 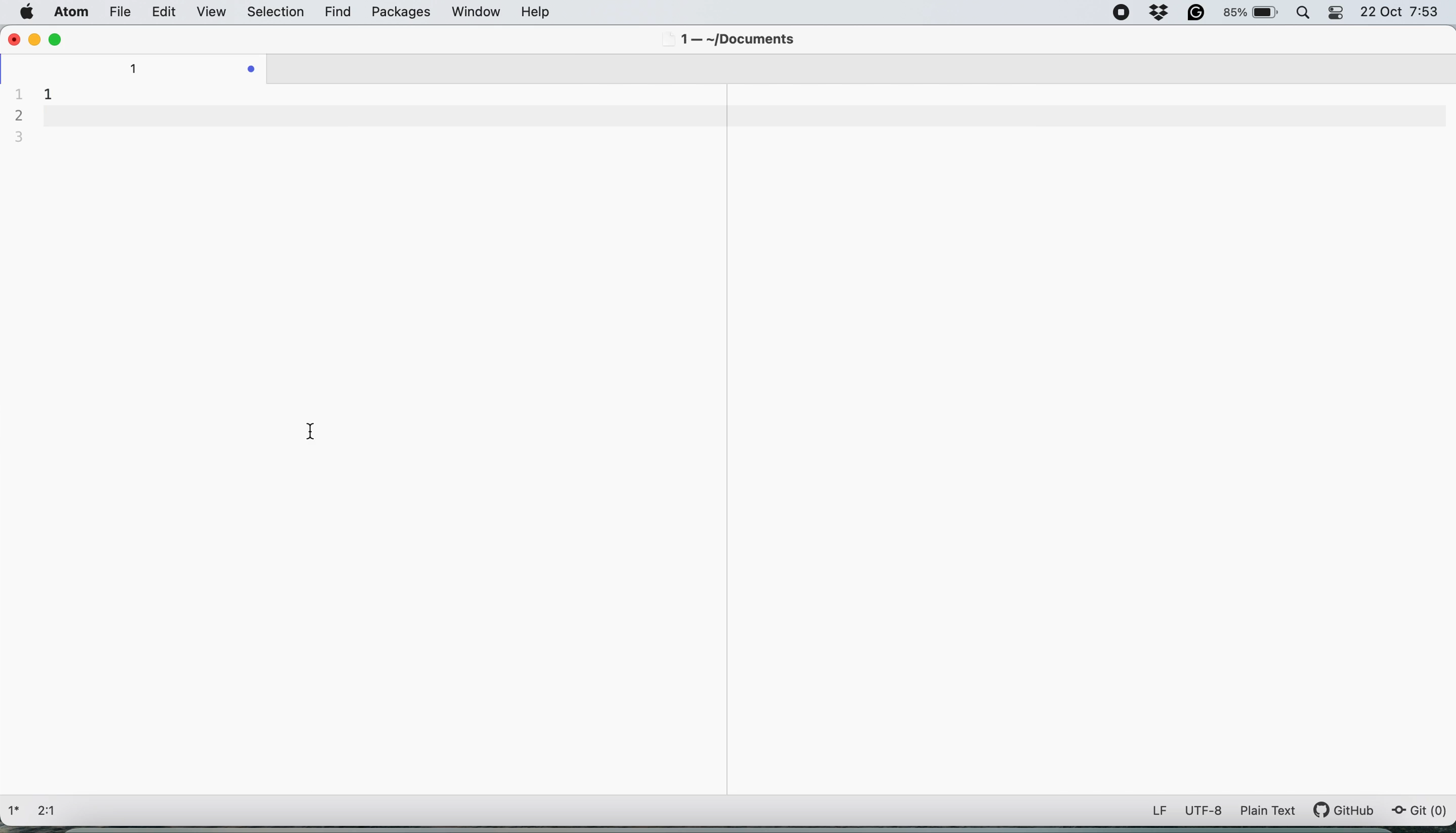 I want to click on dropbox, so click(x=1159, y=14).